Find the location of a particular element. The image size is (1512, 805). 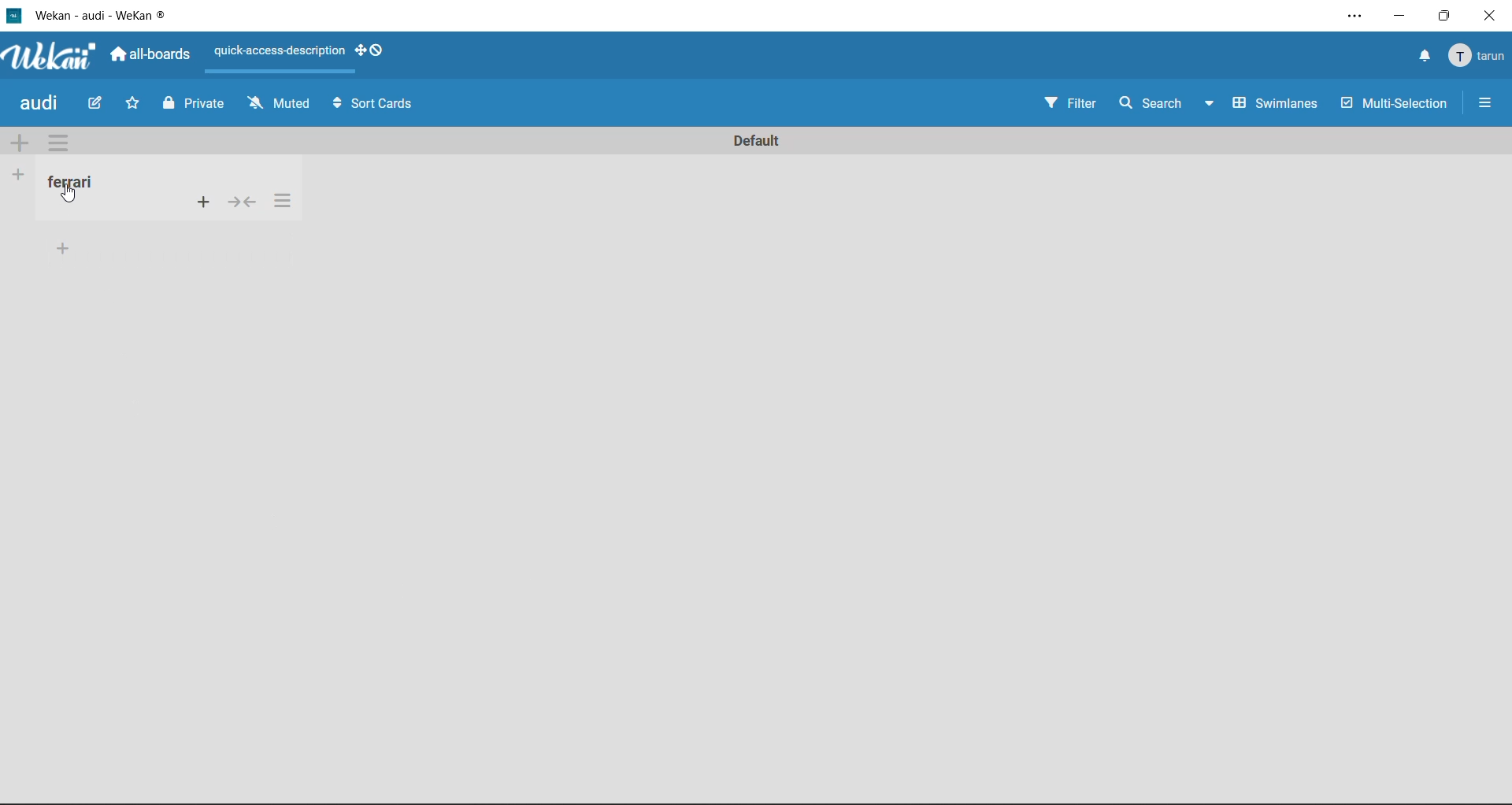

app title Wekan - audi -WeKan is located at coordinates (94, 14).